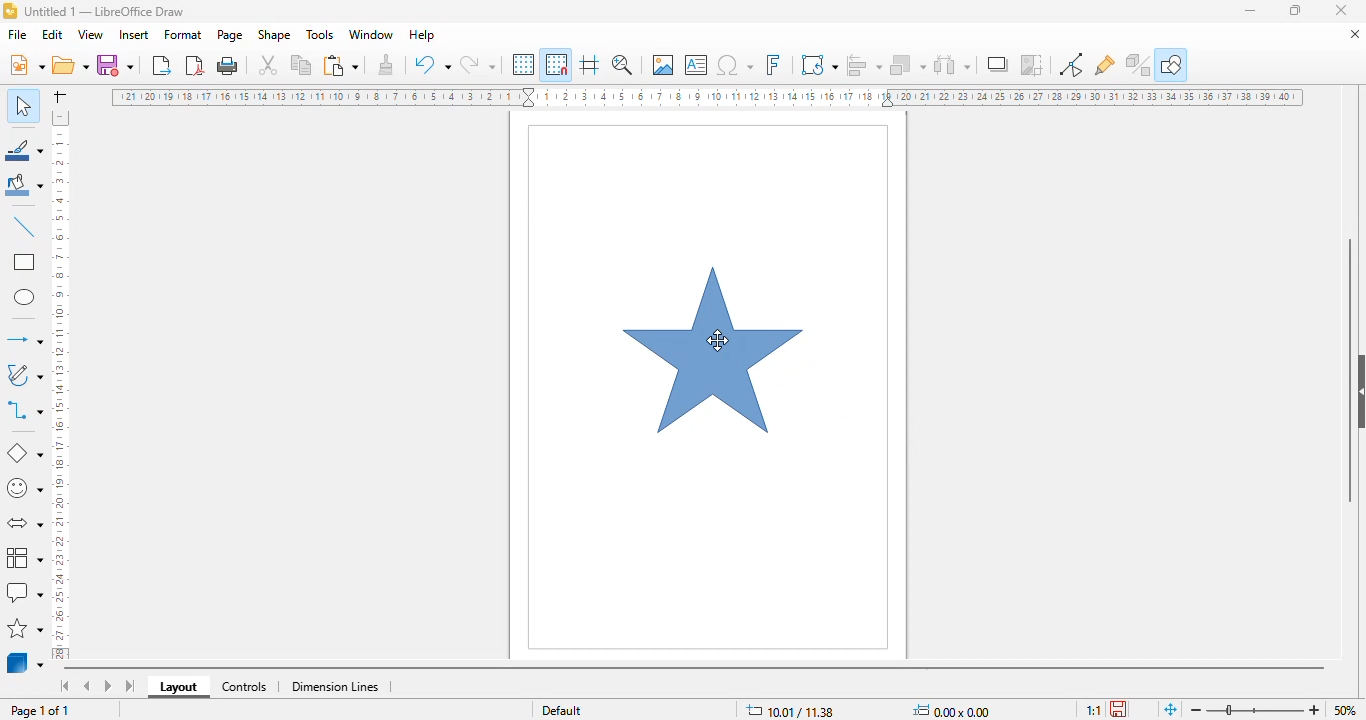 The image size is (1366, 720). Describe the element at coordinates (10, 10) in the screenshot. I see `logo` at that location.